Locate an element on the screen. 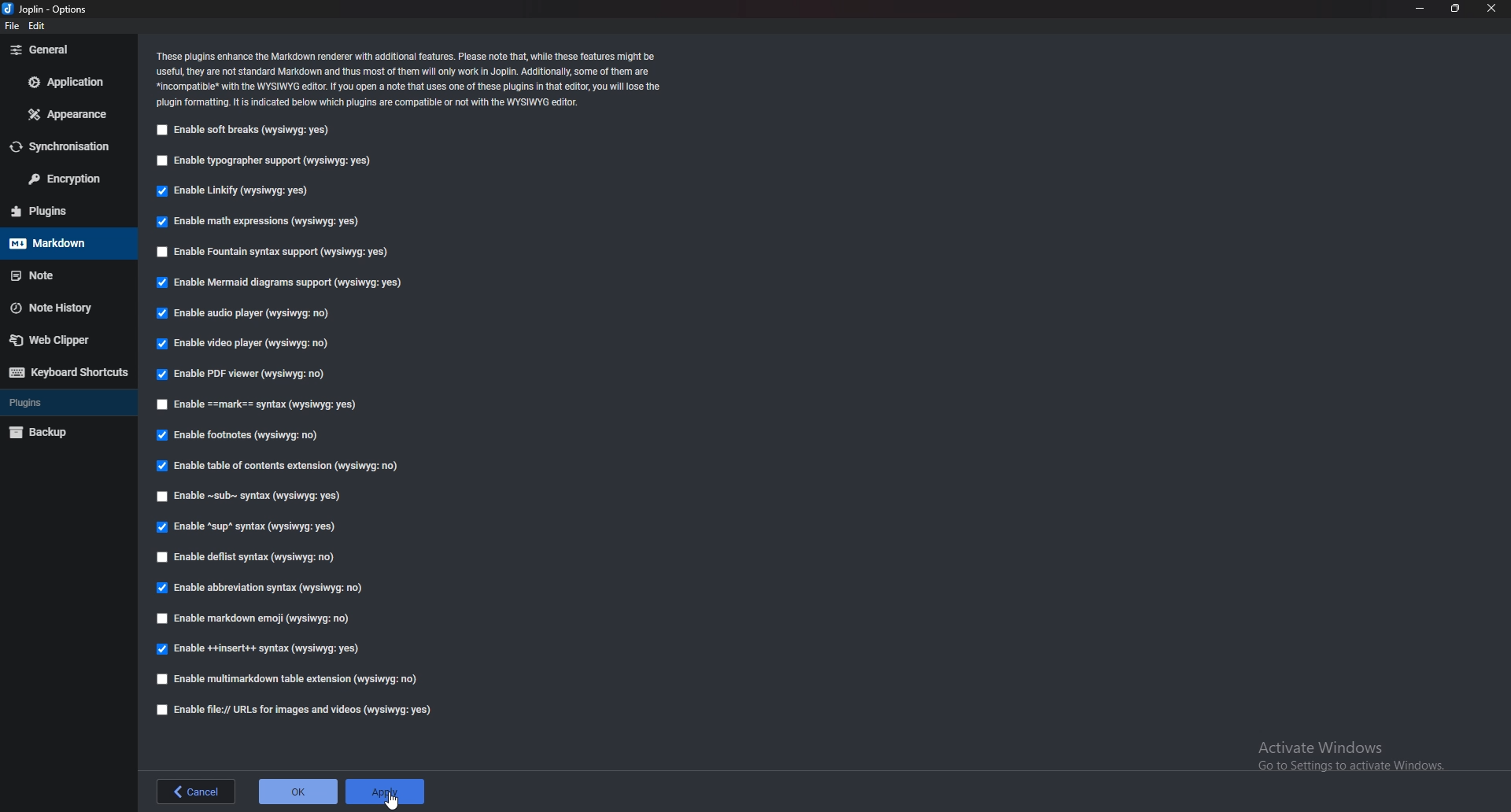  Enable Markdown Emoji is located at coordinates (257, 619).